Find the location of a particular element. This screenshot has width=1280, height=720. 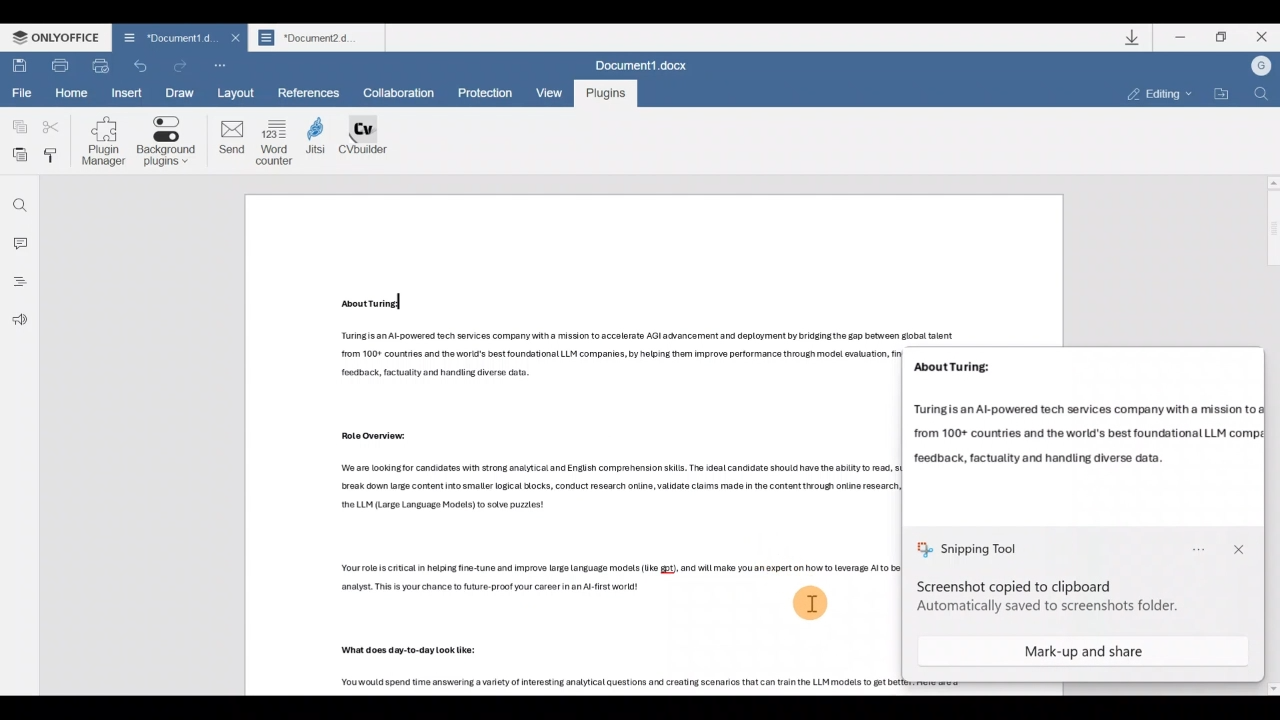

Account name is located at coordinates (1261, 70).